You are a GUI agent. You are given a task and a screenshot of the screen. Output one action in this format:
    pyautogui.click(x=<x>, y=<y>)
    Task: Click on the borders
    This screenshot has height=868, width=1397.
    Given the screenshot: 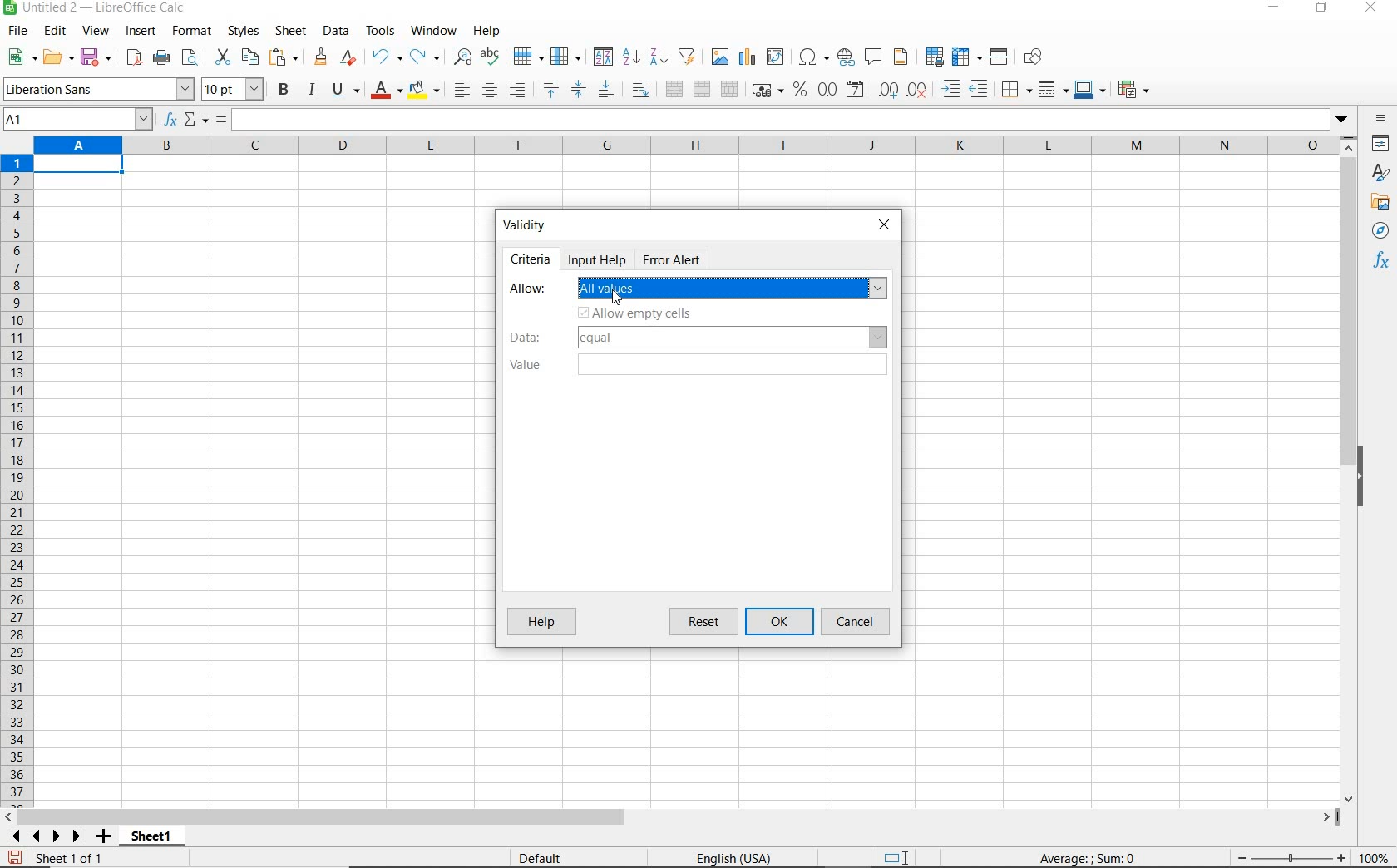 What is the action you would take?
    pyautogui.click(x=1017, y=90)
    